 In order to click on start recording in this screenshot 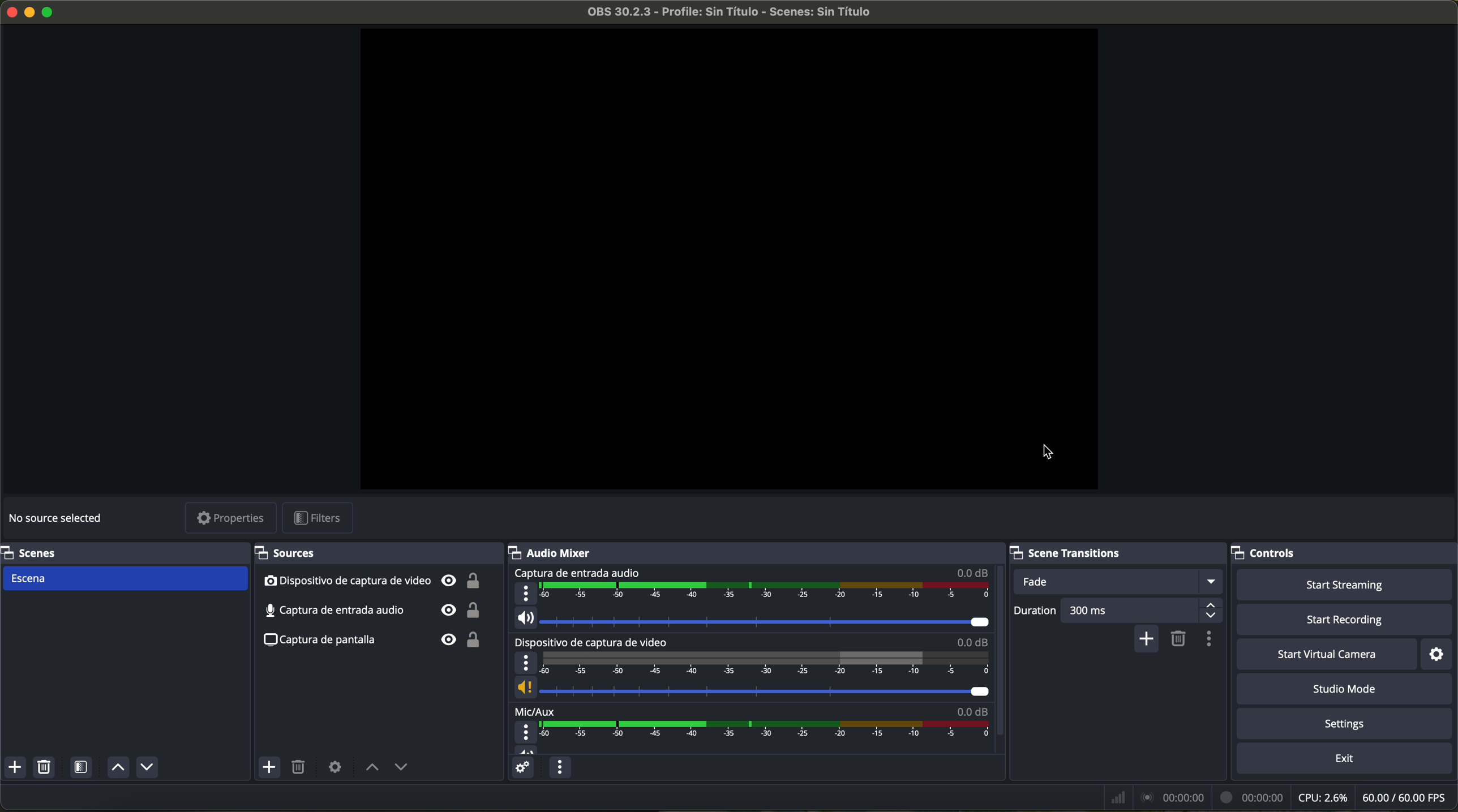, I will do `click(1346, 621)`.